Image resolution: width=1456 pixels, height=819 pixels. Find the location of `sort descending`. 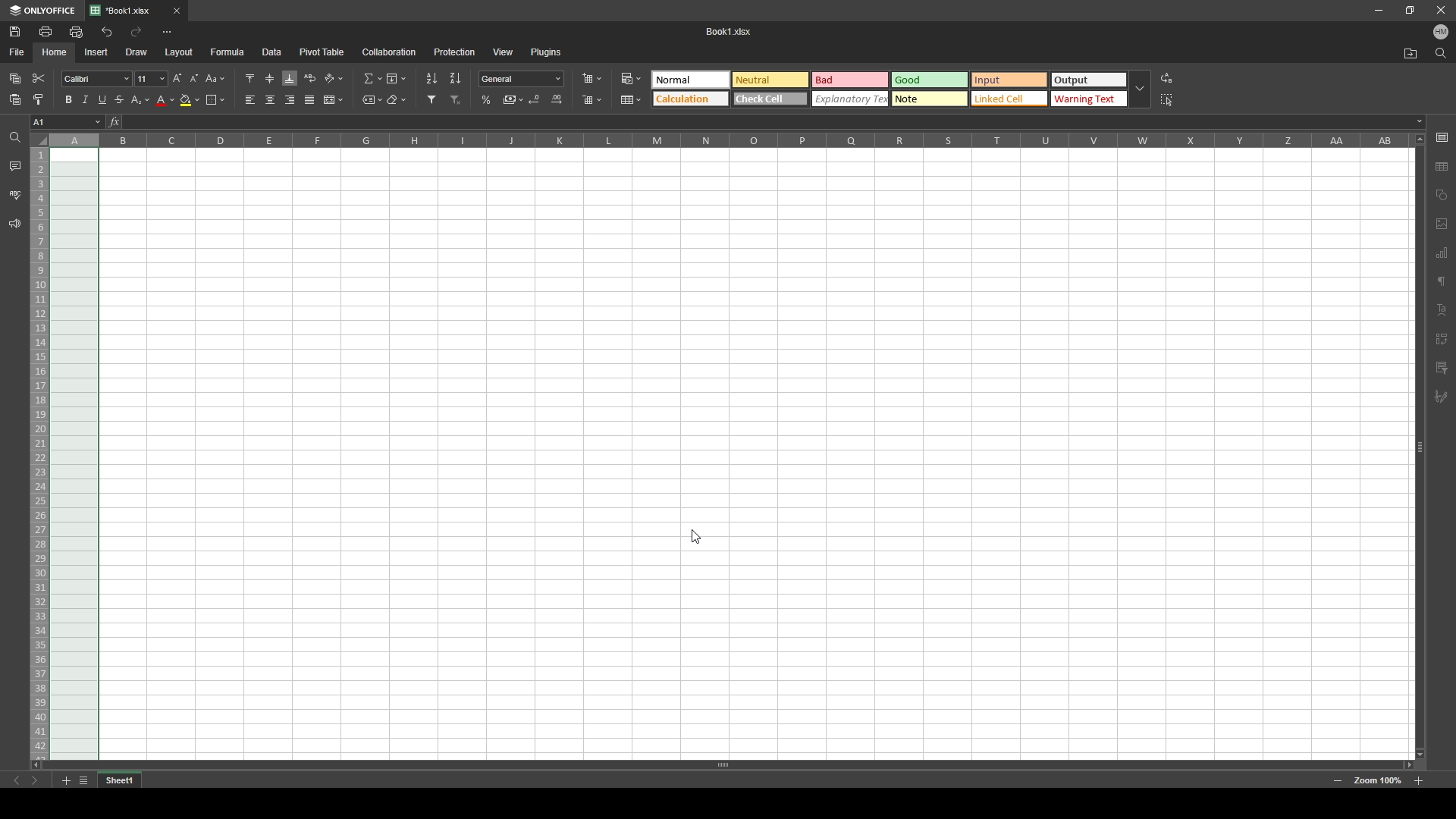

sort descending is located at coordinates (456, 77).